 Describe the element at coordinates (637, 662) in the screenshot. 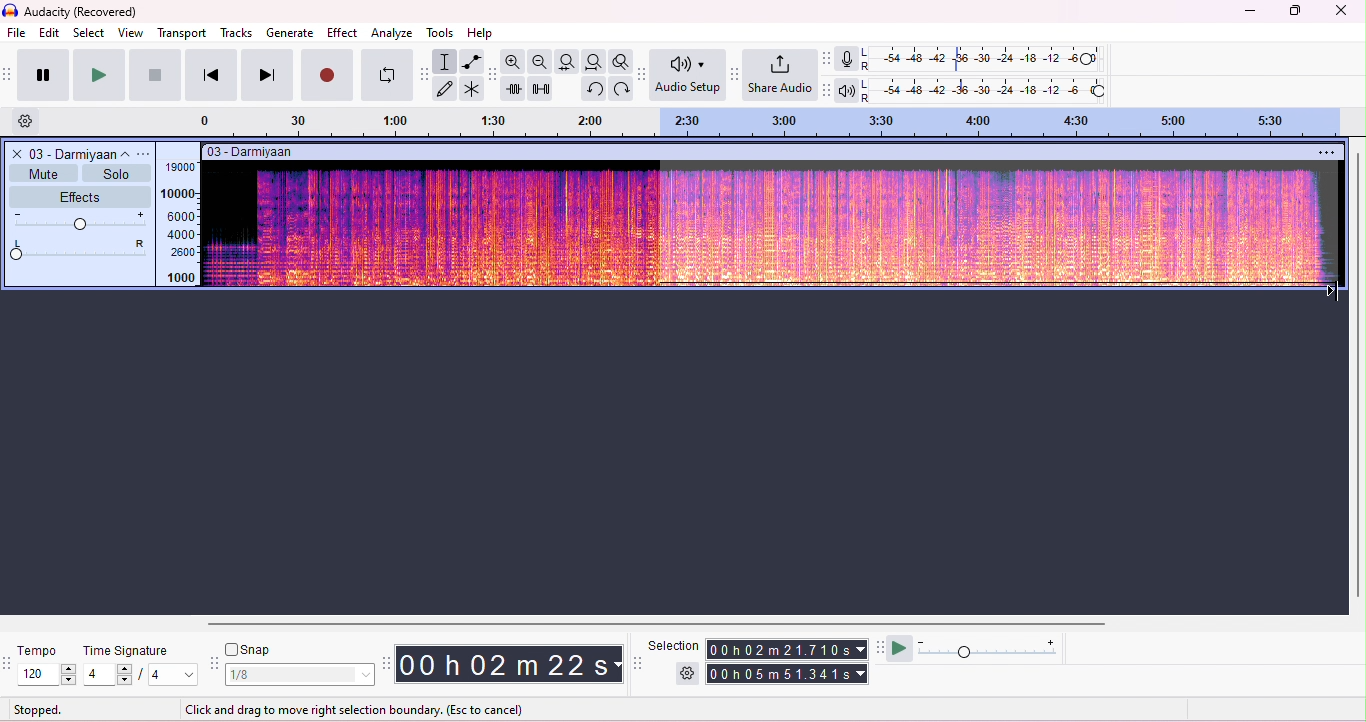

I see `selection tool bar` at that location.